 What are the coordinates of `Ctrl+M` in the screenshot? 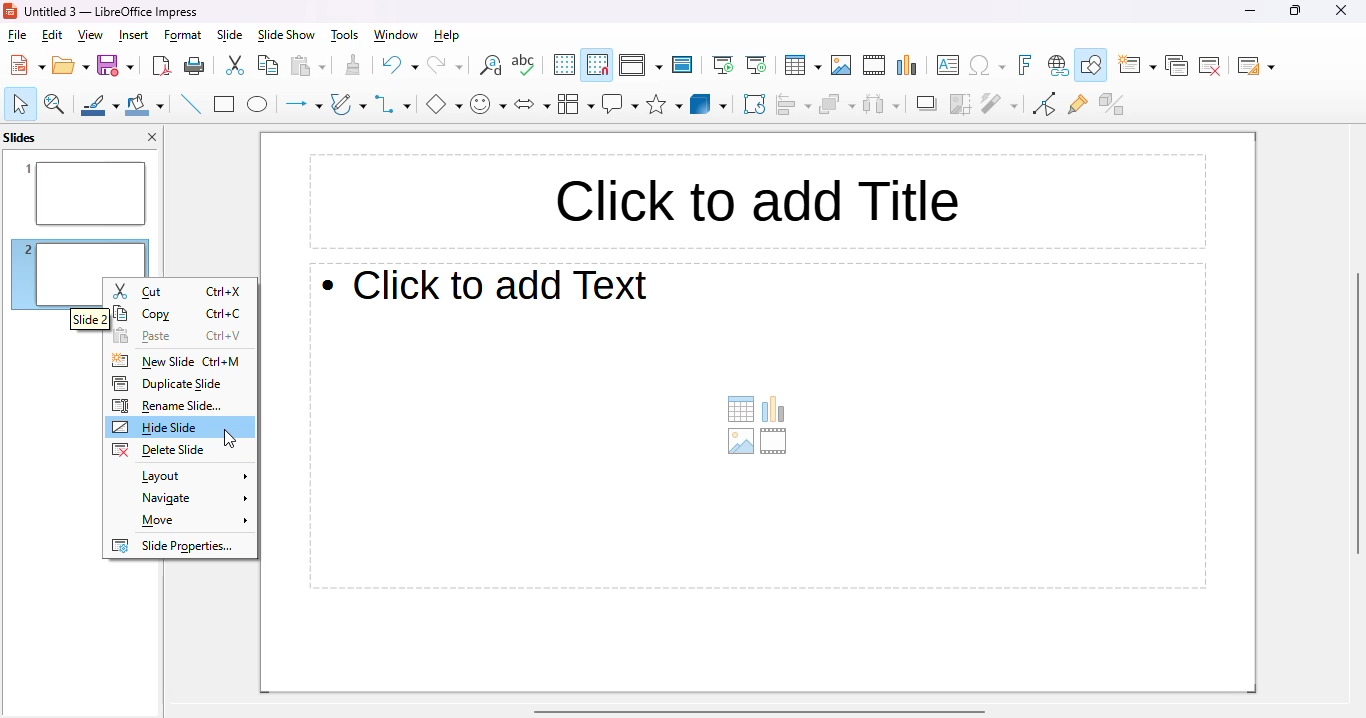 It's located at (221, 362).